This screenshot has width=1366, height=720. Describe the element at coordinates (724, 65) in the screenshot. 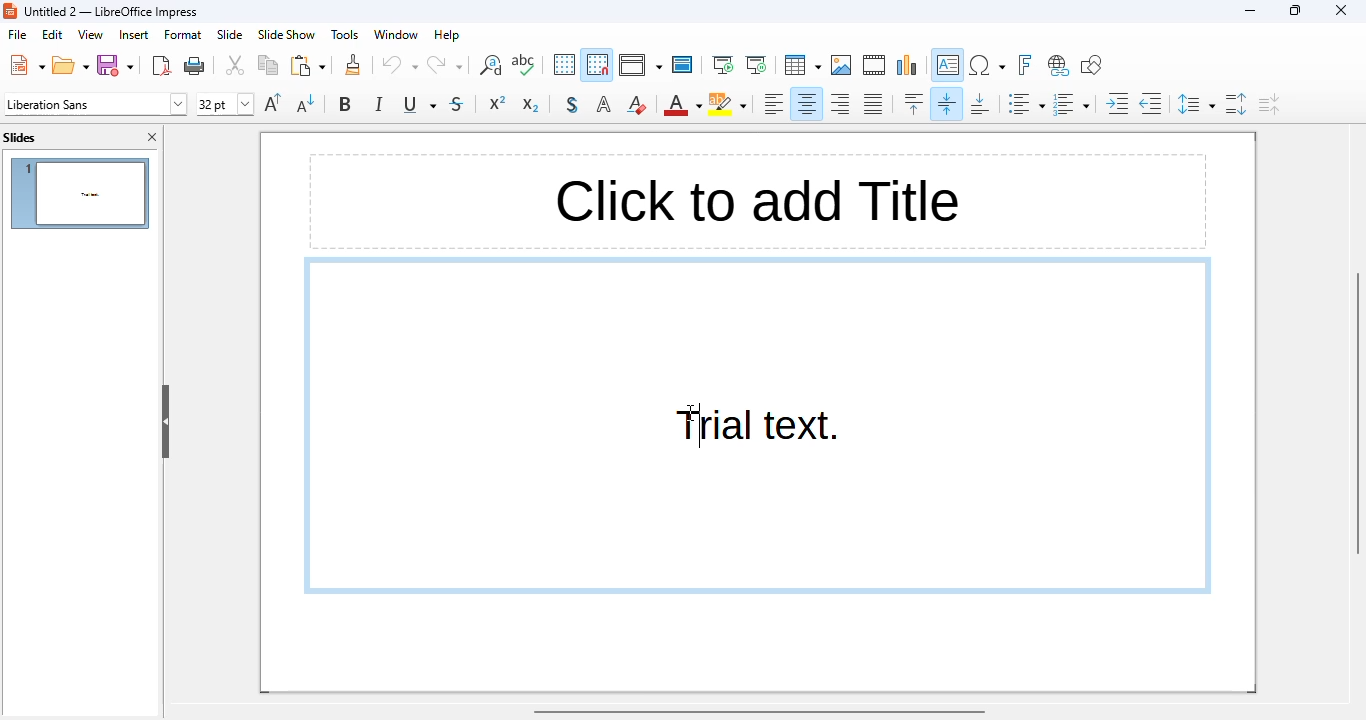

I see `start from first slide` at that location.